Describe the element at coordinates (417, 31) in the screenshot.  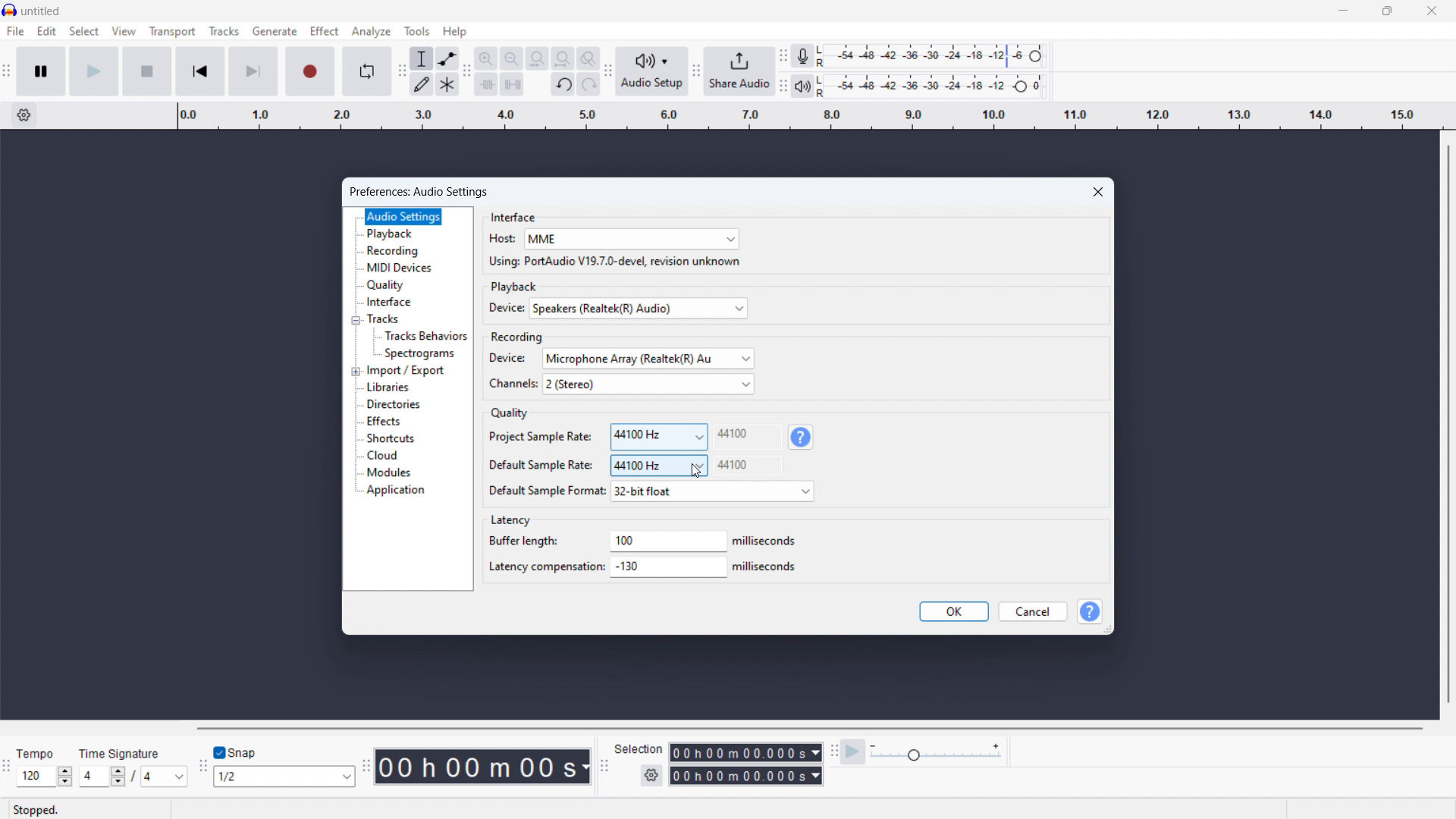
I see `tools` at that location.